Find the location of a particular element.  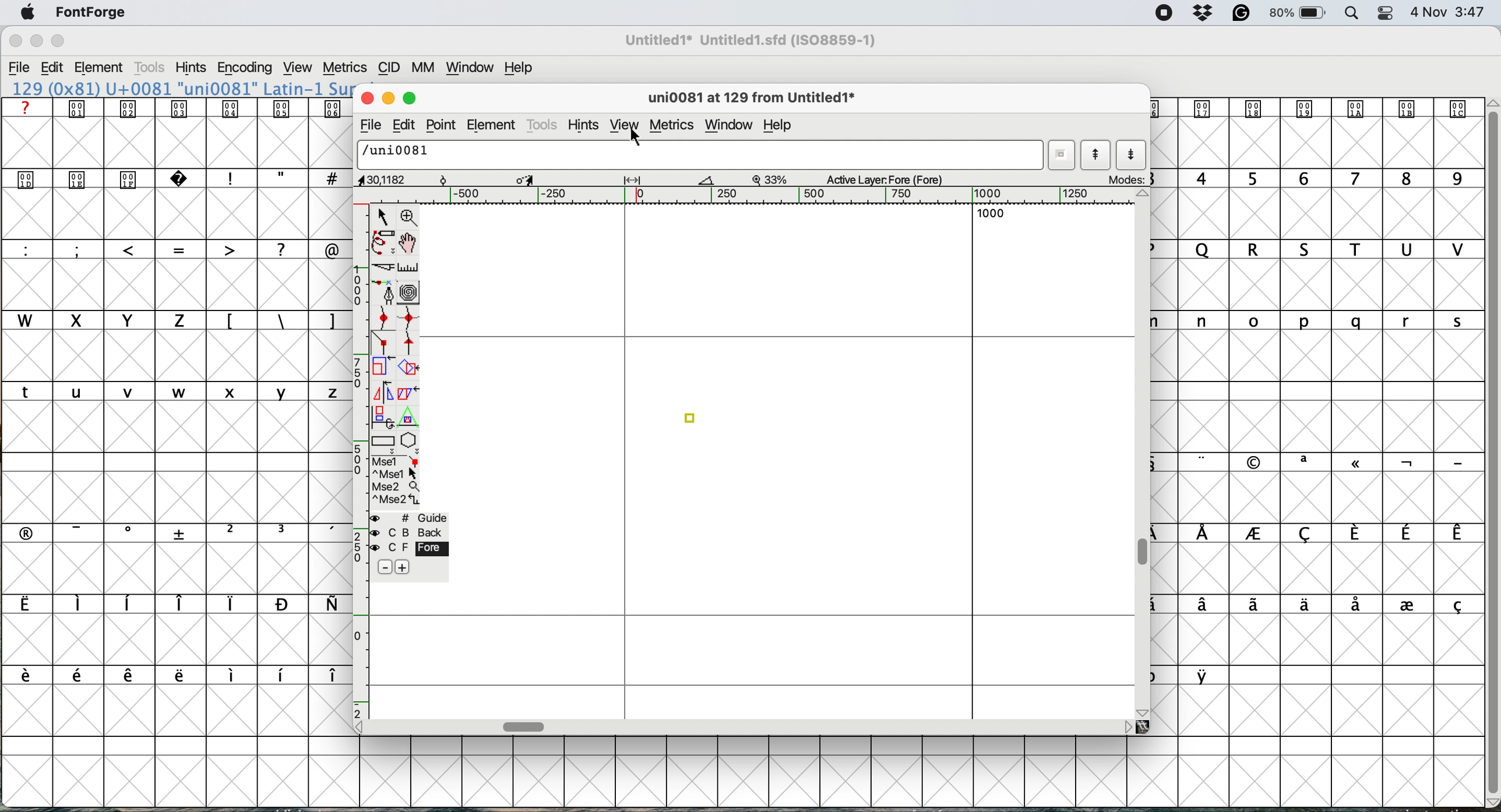

cursor position is located at coordinates (380, 179).